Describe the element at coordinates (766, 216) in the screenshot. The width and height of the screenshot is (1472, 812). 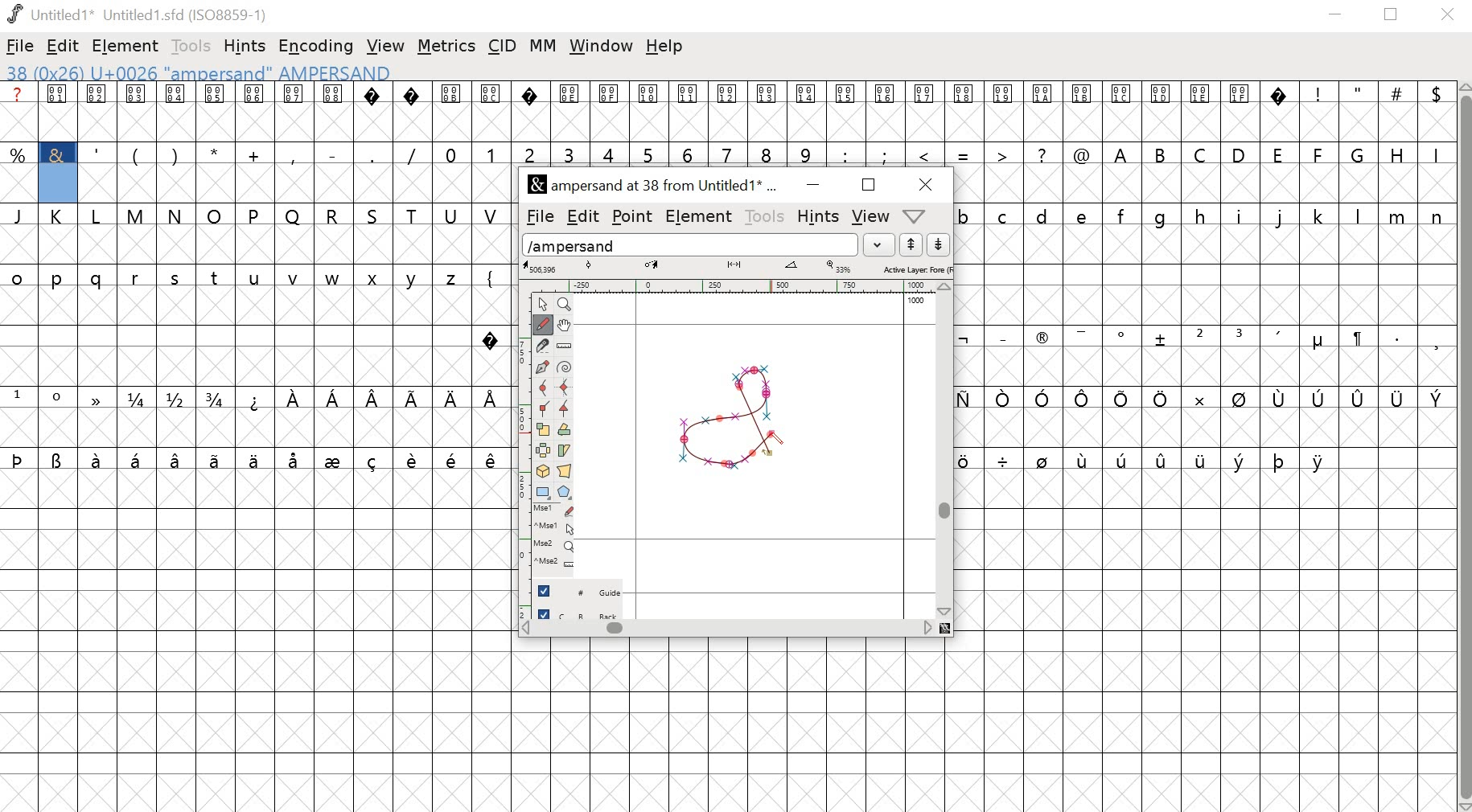
I see `tools` at that location.